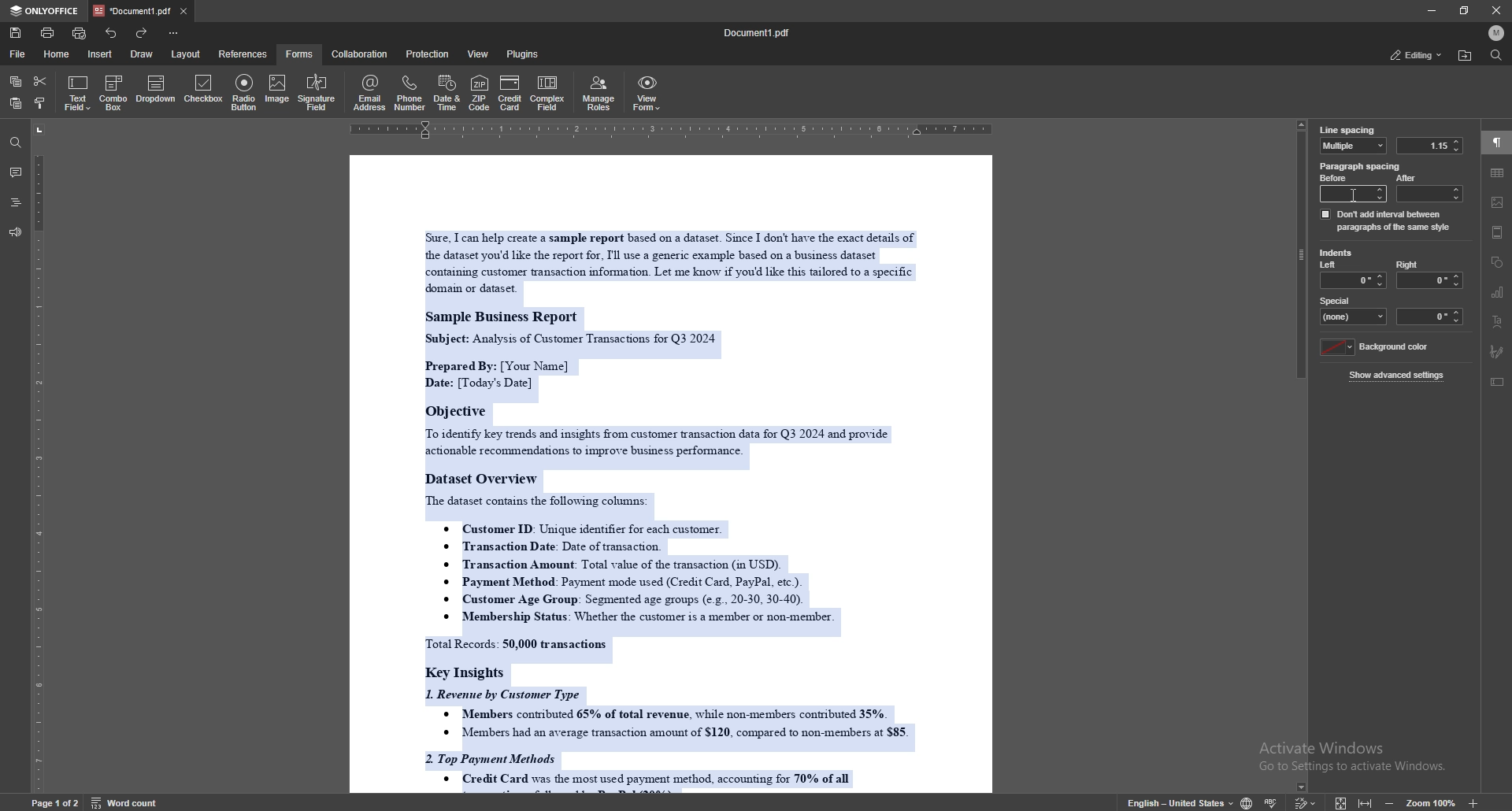  Describe the element at coordinates (112, 33) in the screenshot. I see `undo` at that location.